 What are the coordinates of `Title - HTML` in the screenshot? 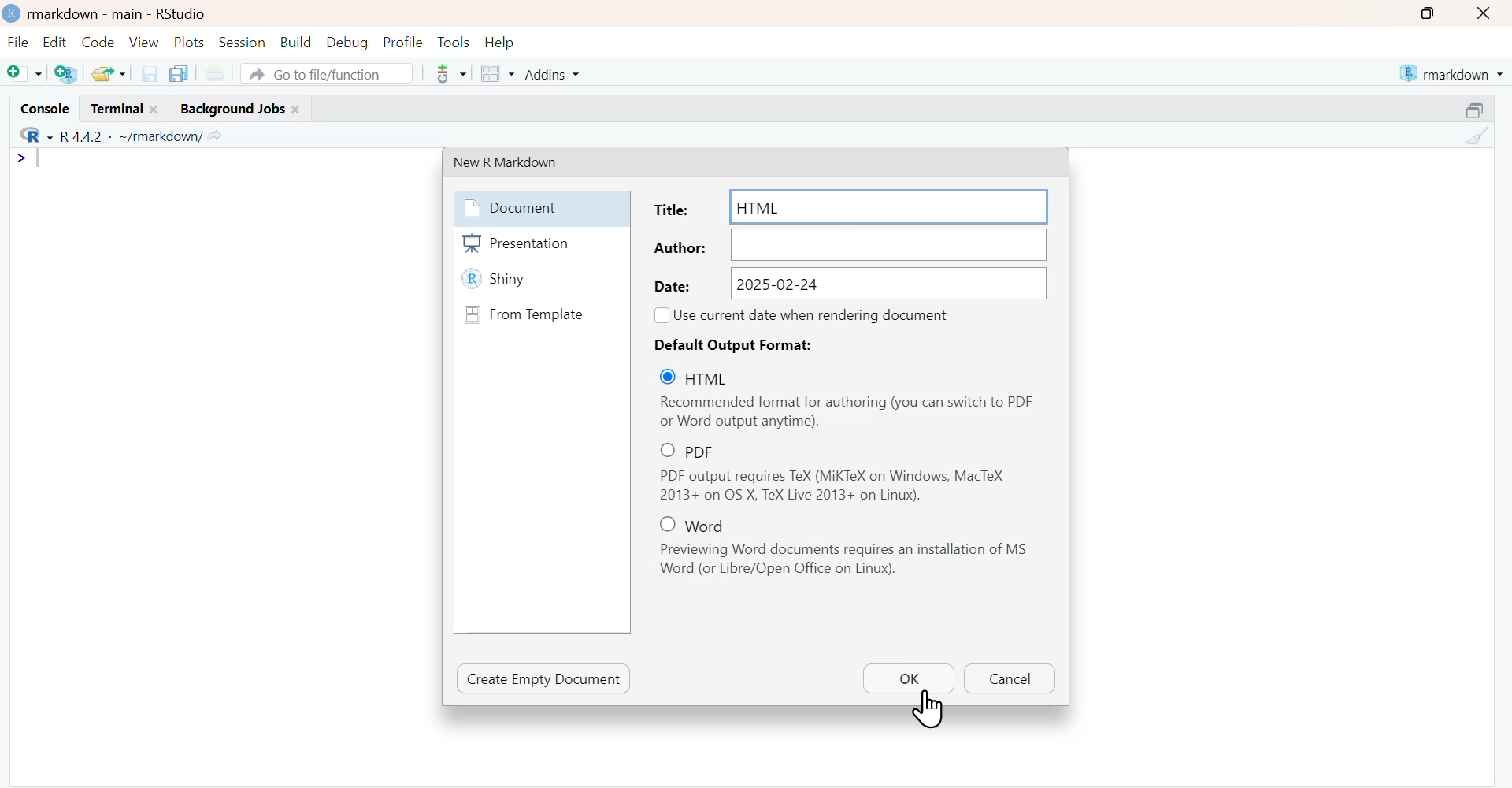 It's located at (851, 207).